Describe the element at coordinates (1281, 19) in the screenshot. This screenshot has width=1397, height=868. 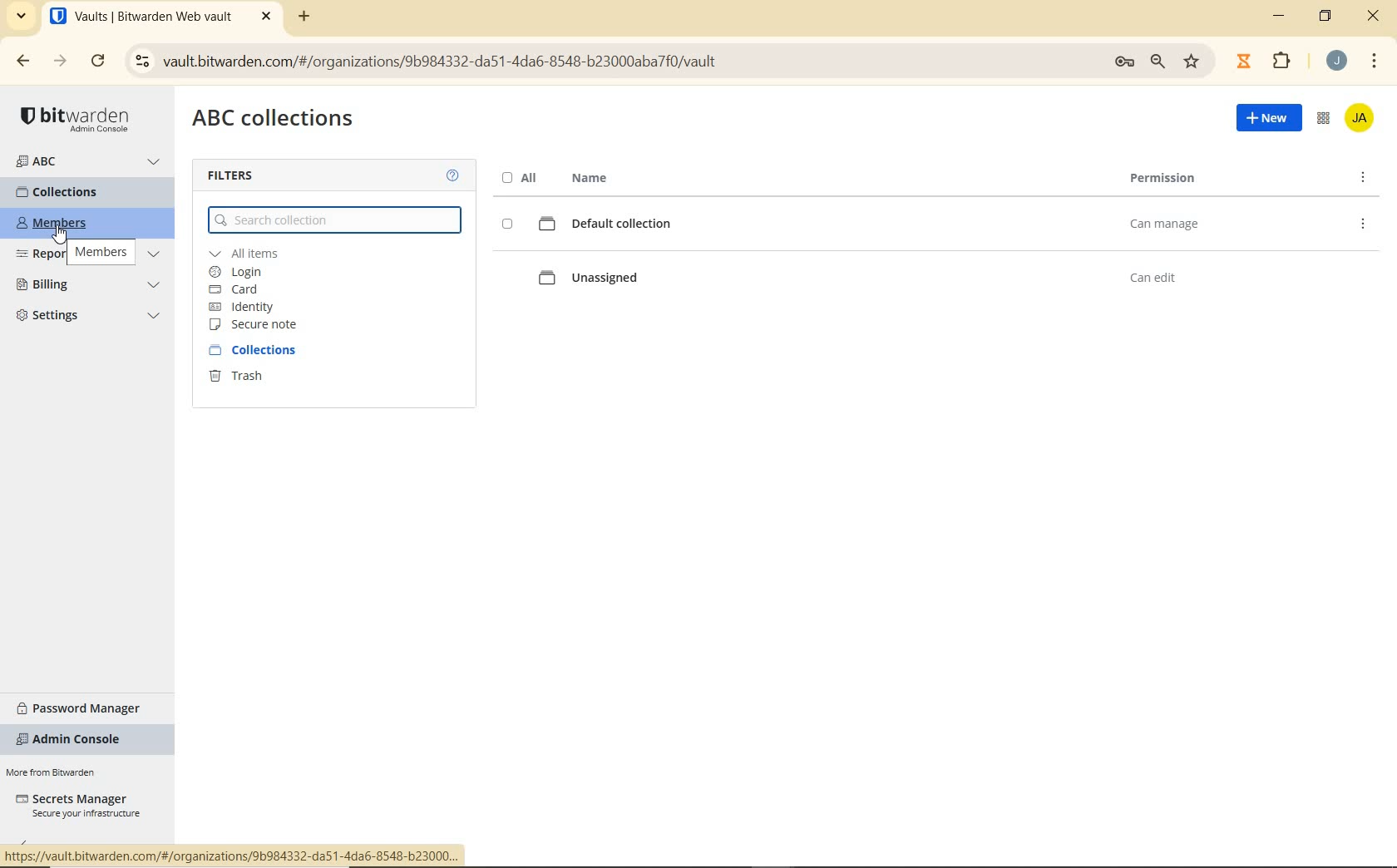
I see `MINIMIZE` at that location.